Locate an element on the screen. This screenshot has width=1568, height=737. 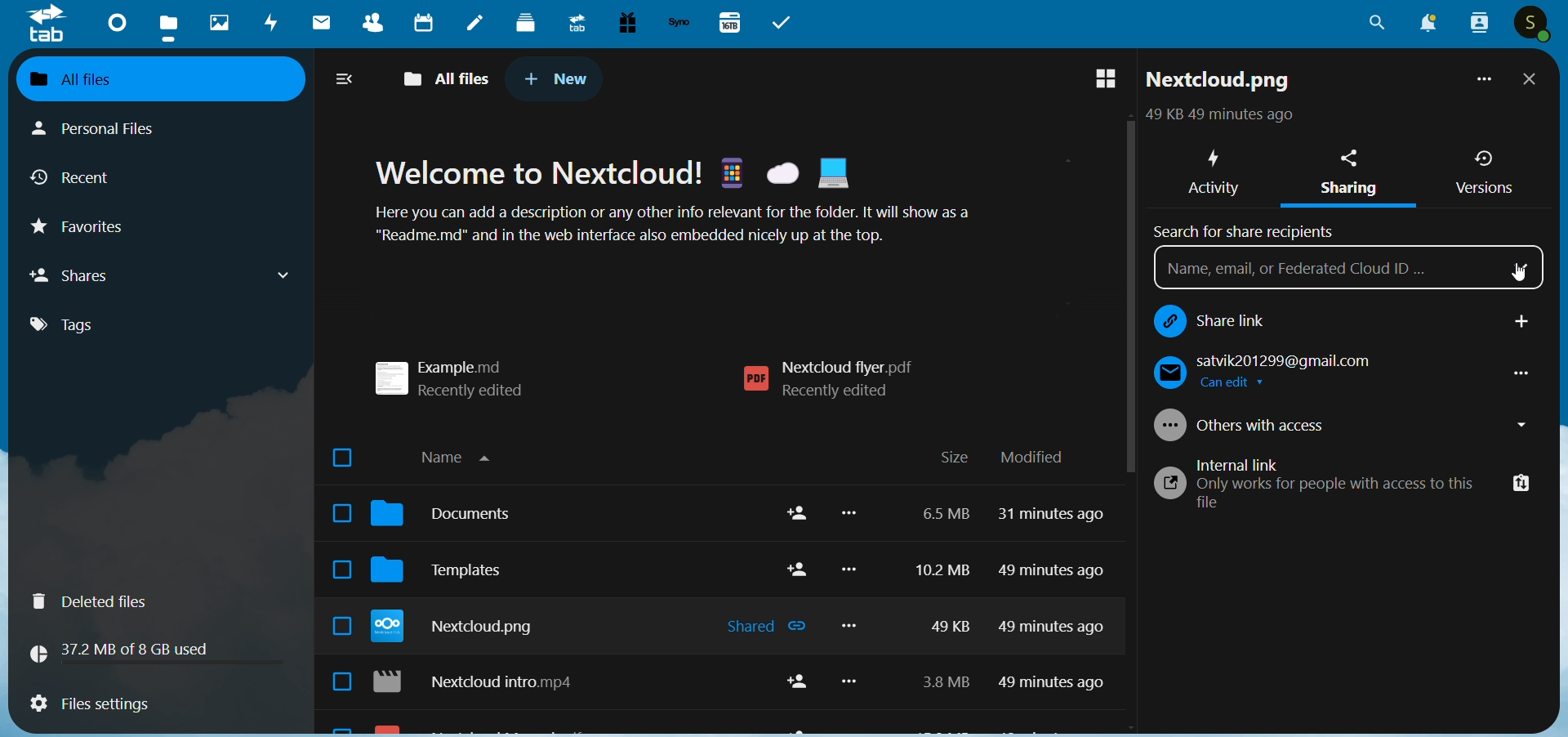
activity is located at coordinates (1211, 168).